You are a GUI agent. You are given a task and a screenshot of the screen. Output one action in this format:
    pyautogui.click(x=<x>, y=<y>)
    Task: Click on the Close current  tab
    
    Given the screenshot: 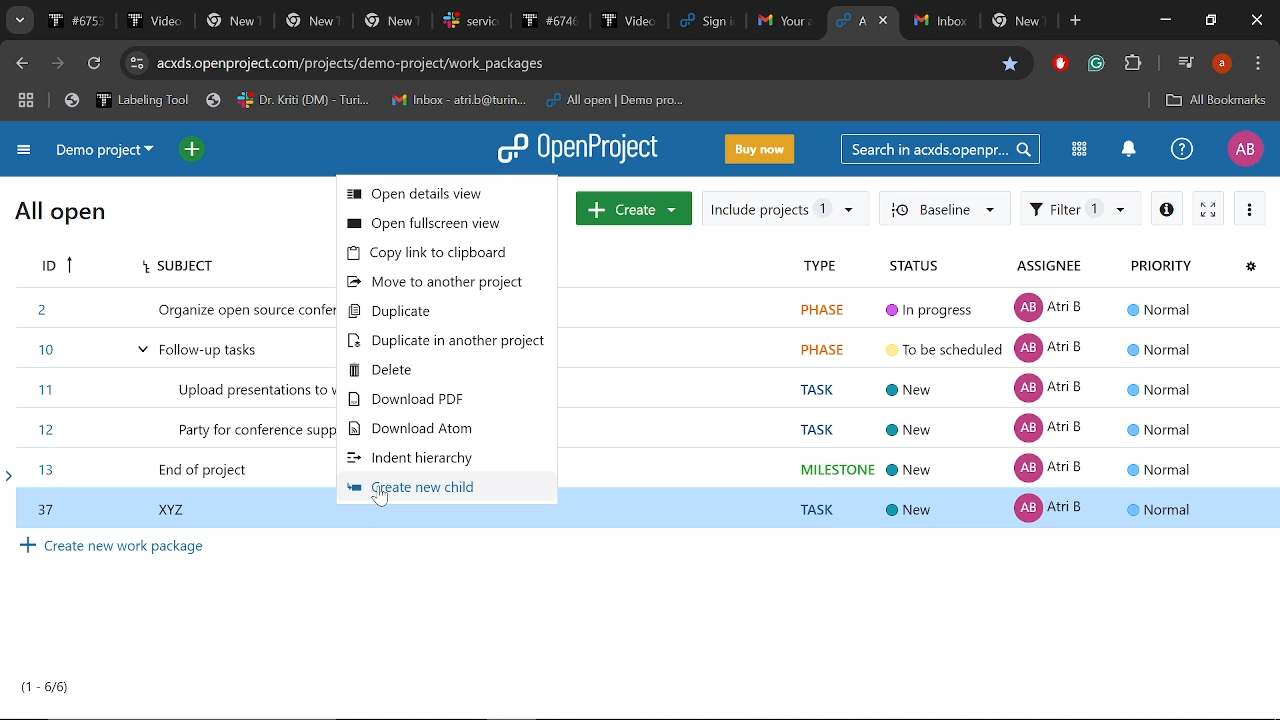 What is the action you would take?
    pyautogui.click(x=885, y=20)
    